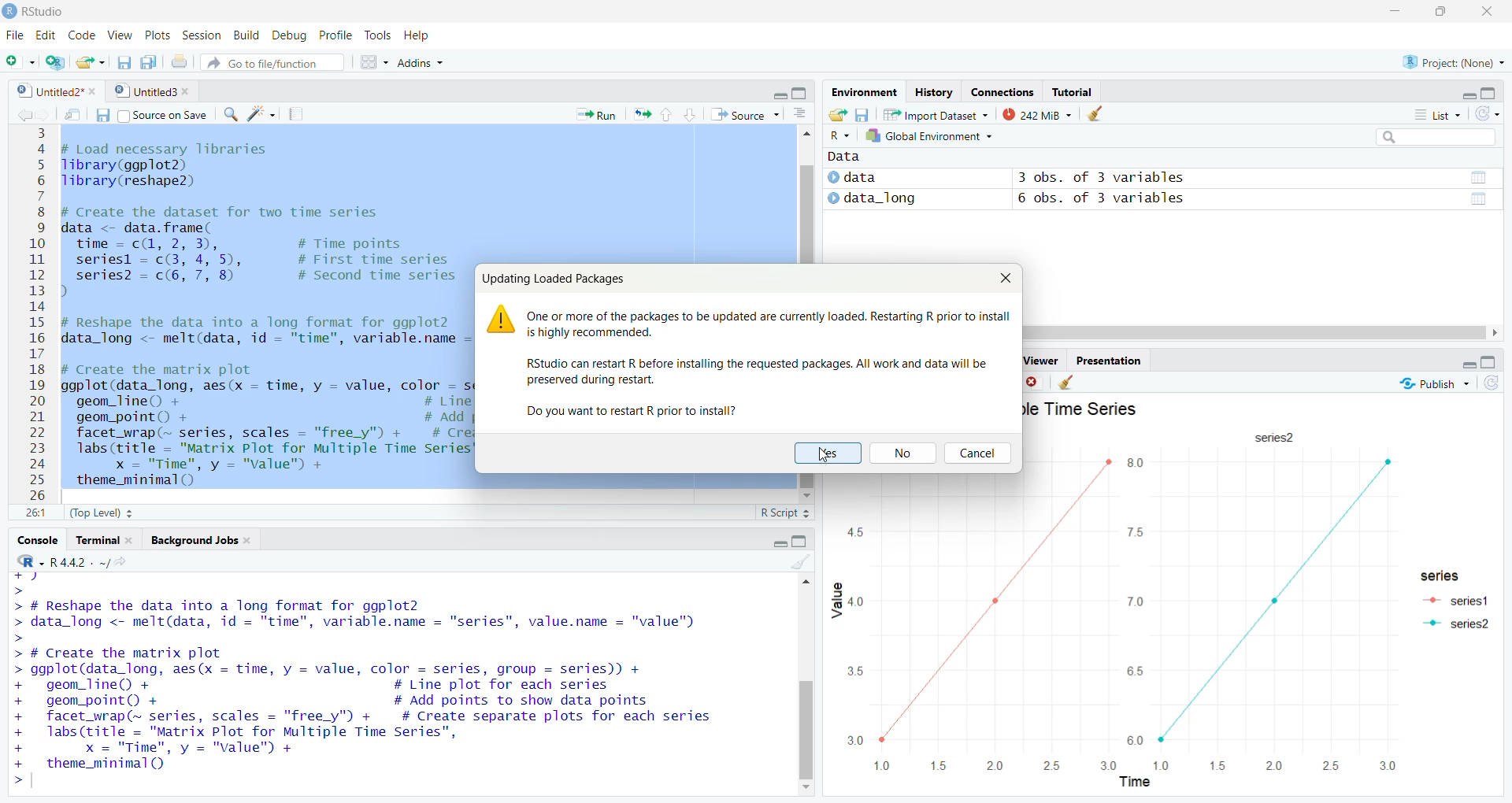 Image resolution: width=1512 pixels, height=803 pixels. What do you see at coordinates (201, 540) in the screenshot?
I see `Background Jobs` at bounding box center [201, 540].